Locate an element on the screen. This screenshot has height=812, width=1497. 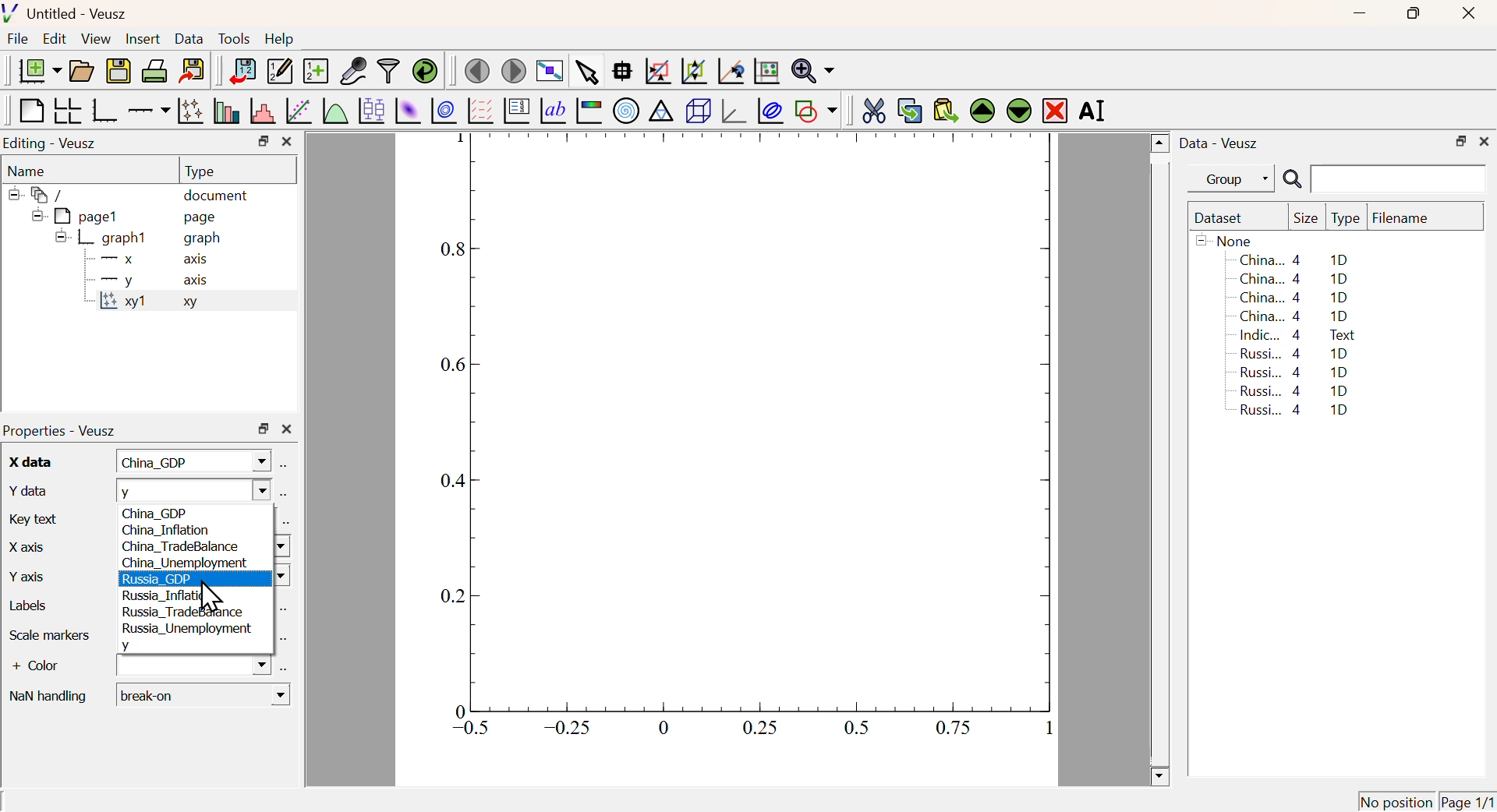
Ternary Graph is located at coordinates (660, 110).